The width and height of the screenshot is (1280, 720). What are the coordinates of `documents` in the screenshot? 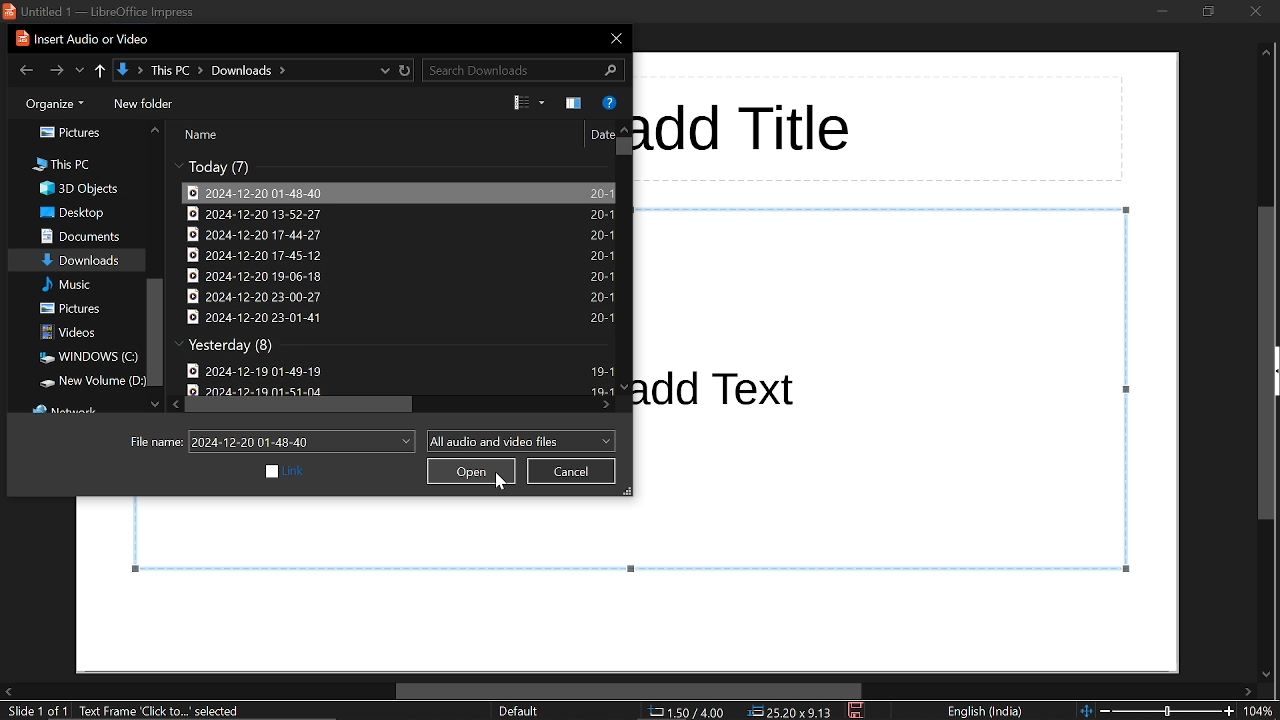 It's located at (80, 237).